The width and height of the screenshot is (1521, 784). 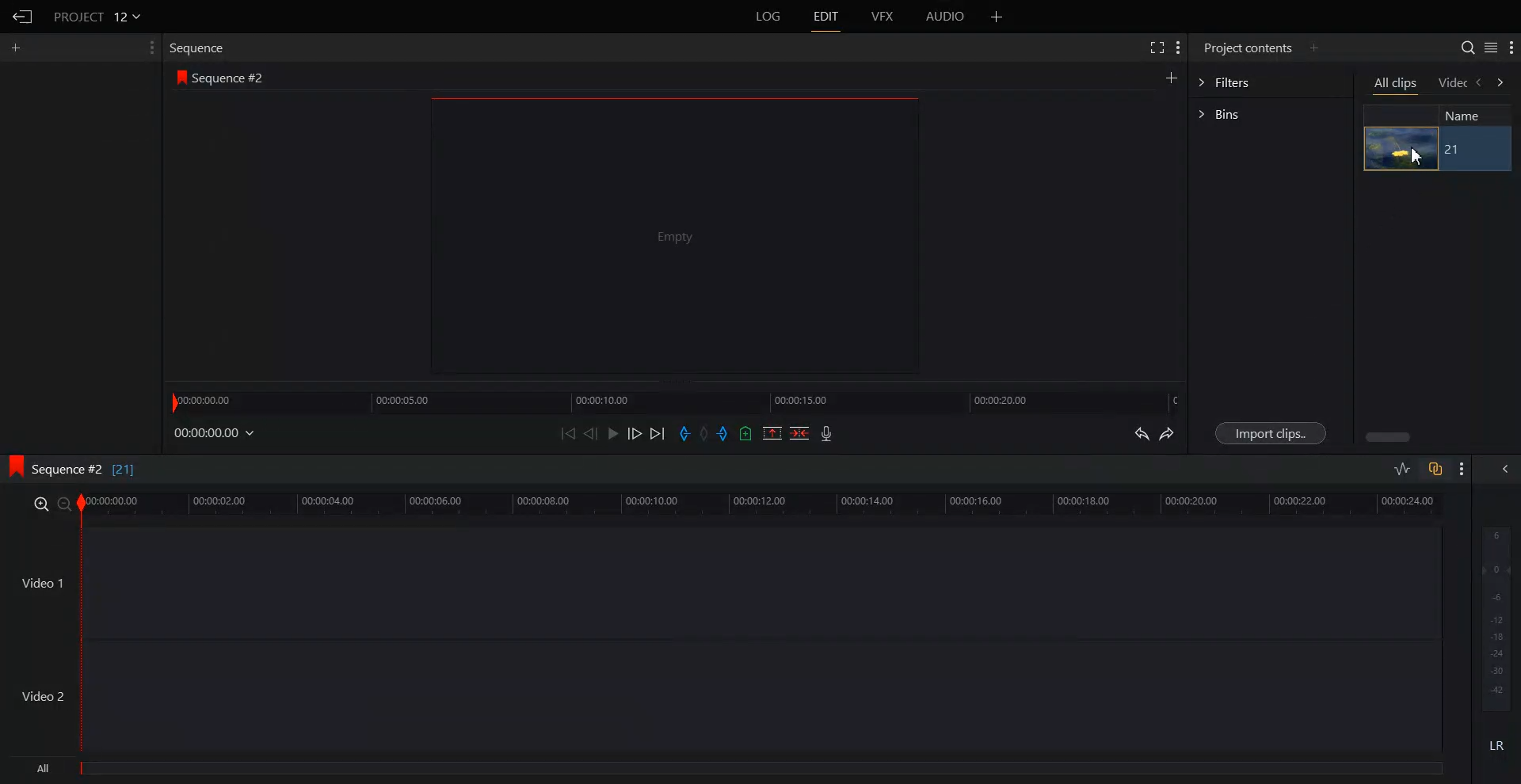 I want to click on Video 1, so click(x=41, y=582).